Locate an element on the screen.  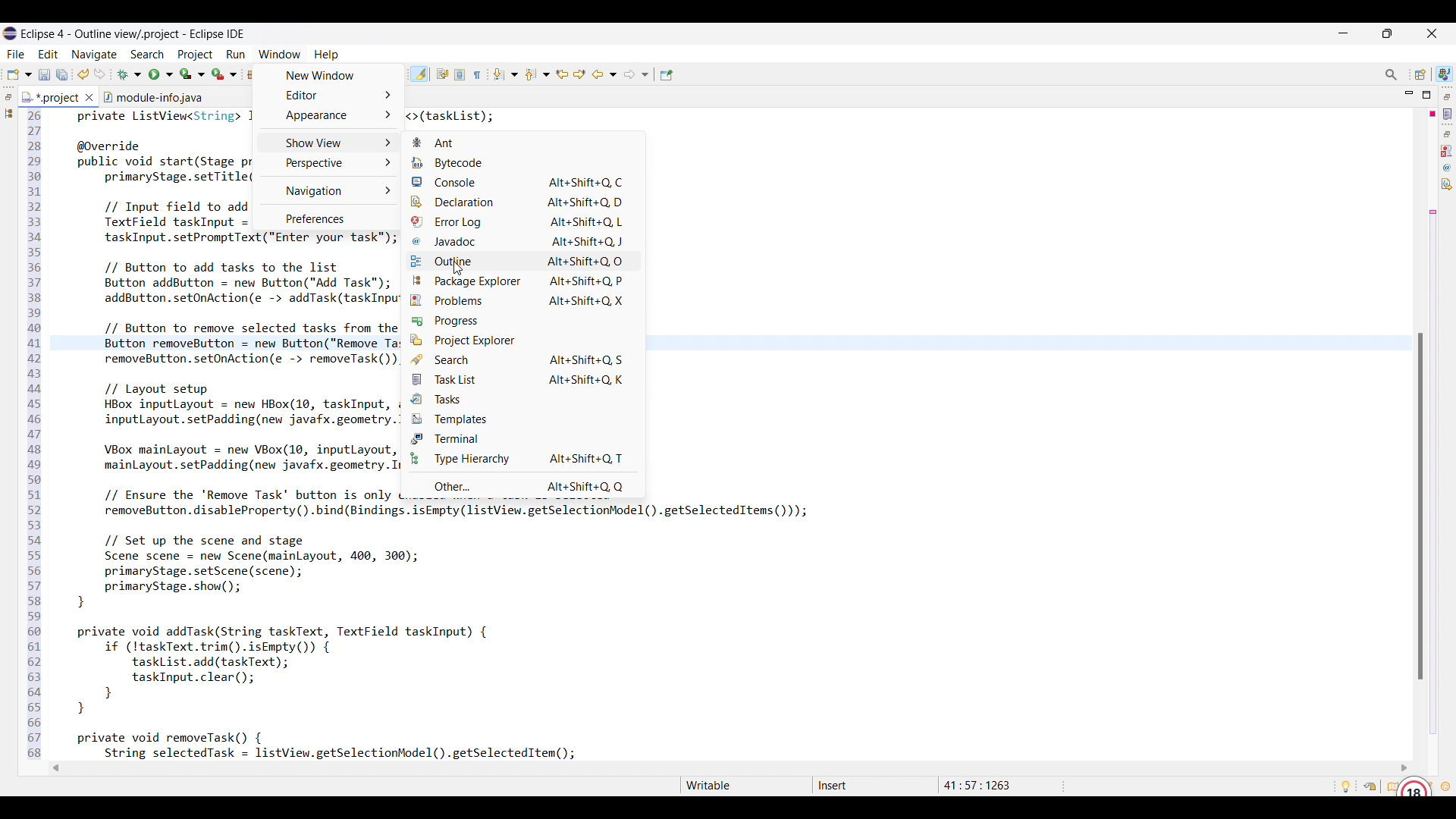
Javadoc is located at coordinates (1448, 168).